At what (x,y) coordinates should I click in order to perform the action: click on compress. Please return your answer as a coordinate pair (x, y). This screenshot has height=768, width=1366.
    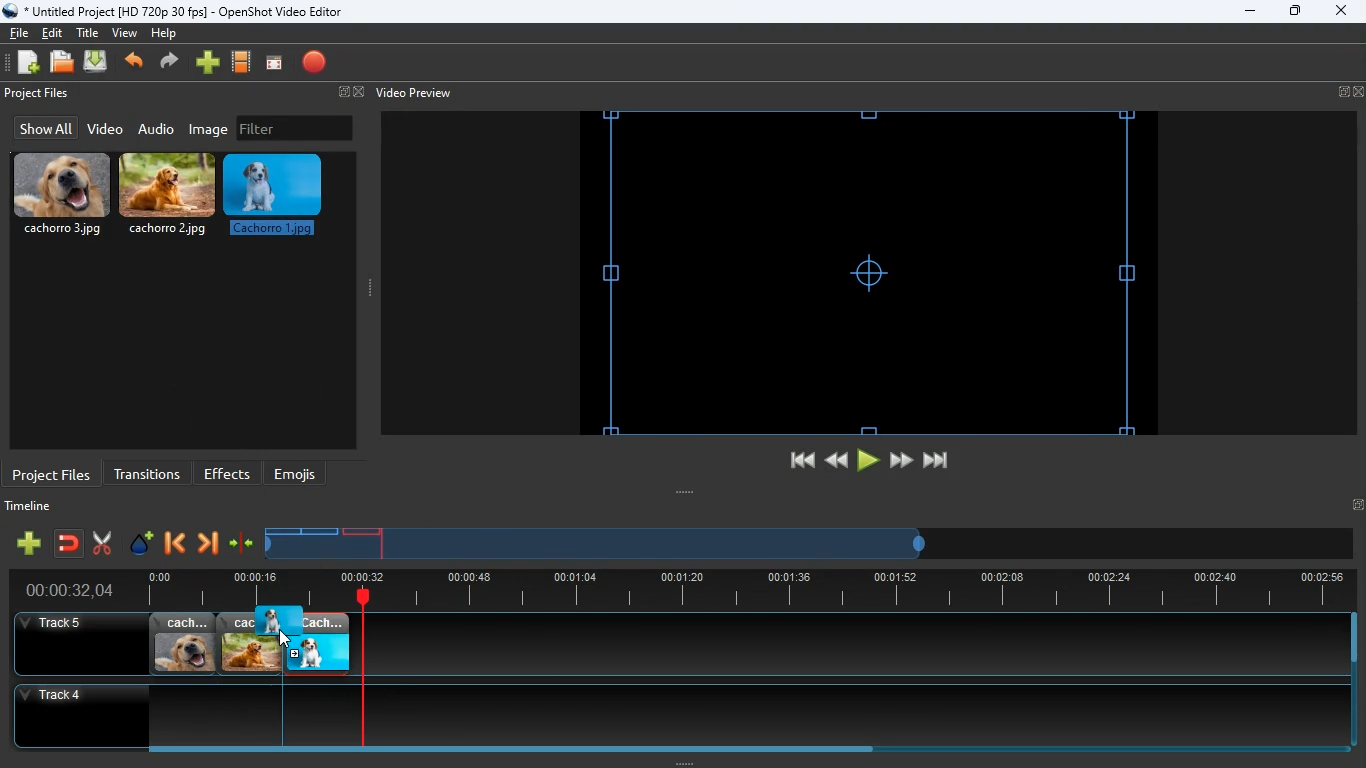
    Looking at the image, I should click on (242, 544).